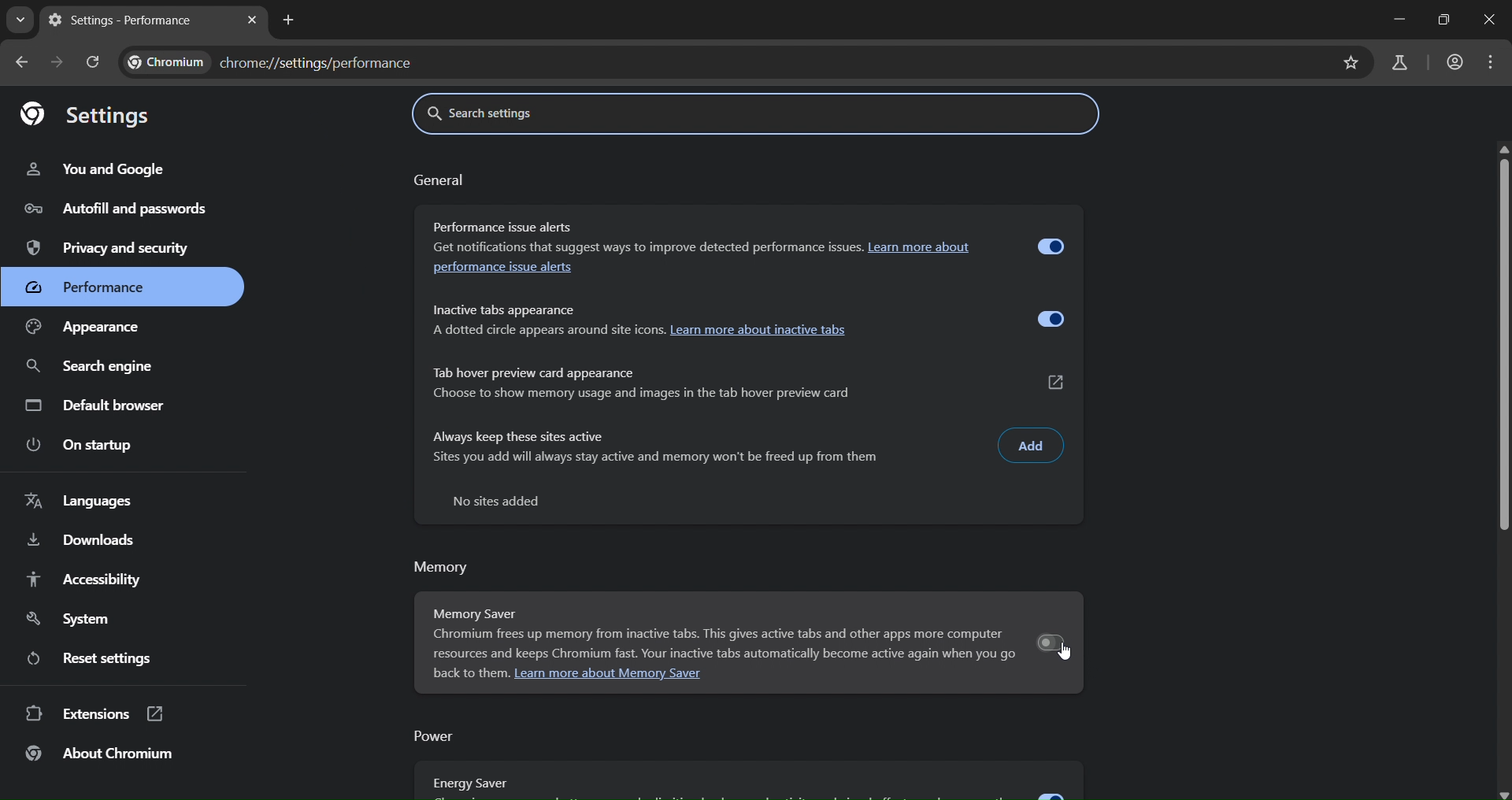 The height and width of the screenshot is (800, 1512). What do you see at coordinates (83, 502) in the screenshot?
I see `Languages` at bounding box center [83, 502].